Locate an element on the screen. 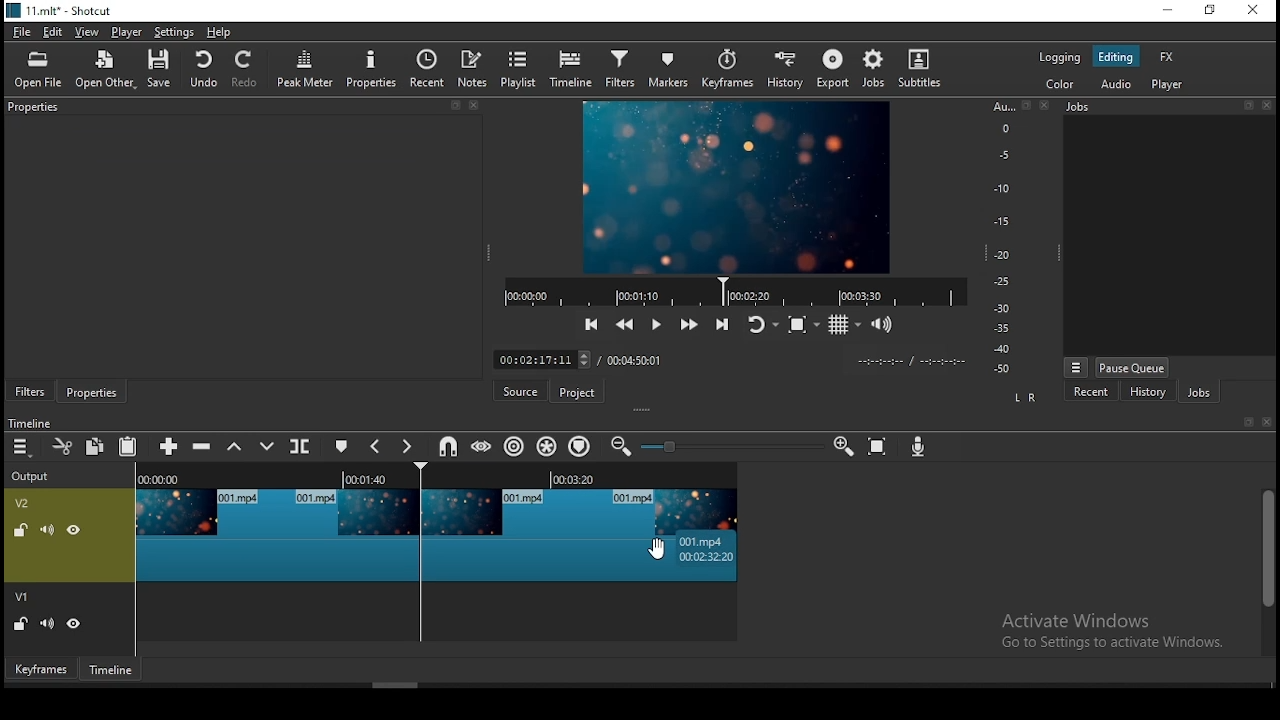  view is located at coordinates (87, 33).